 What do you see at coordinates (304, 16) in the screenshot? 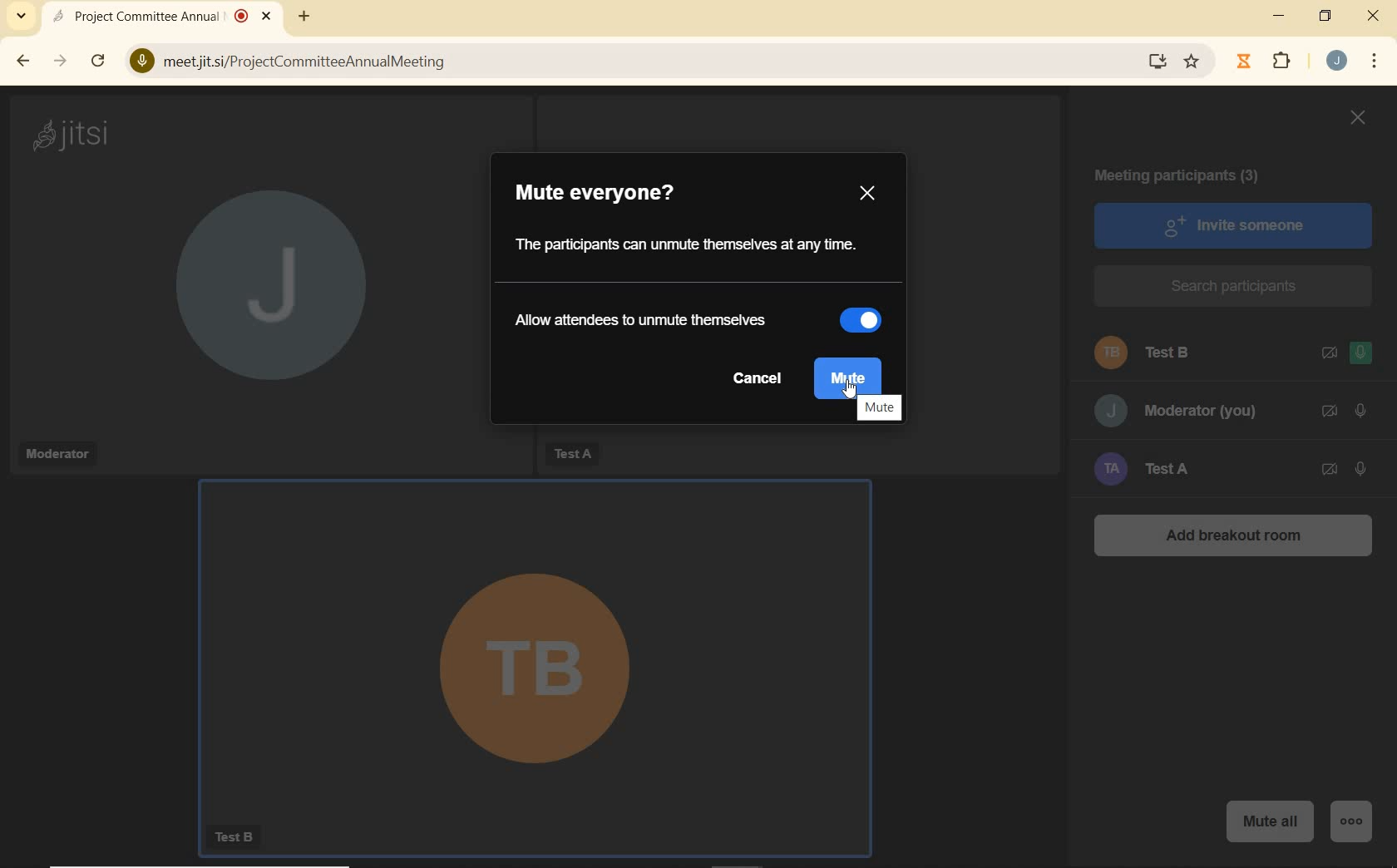
I see `ADD NEW TAB` at bounding box center [304, 16].